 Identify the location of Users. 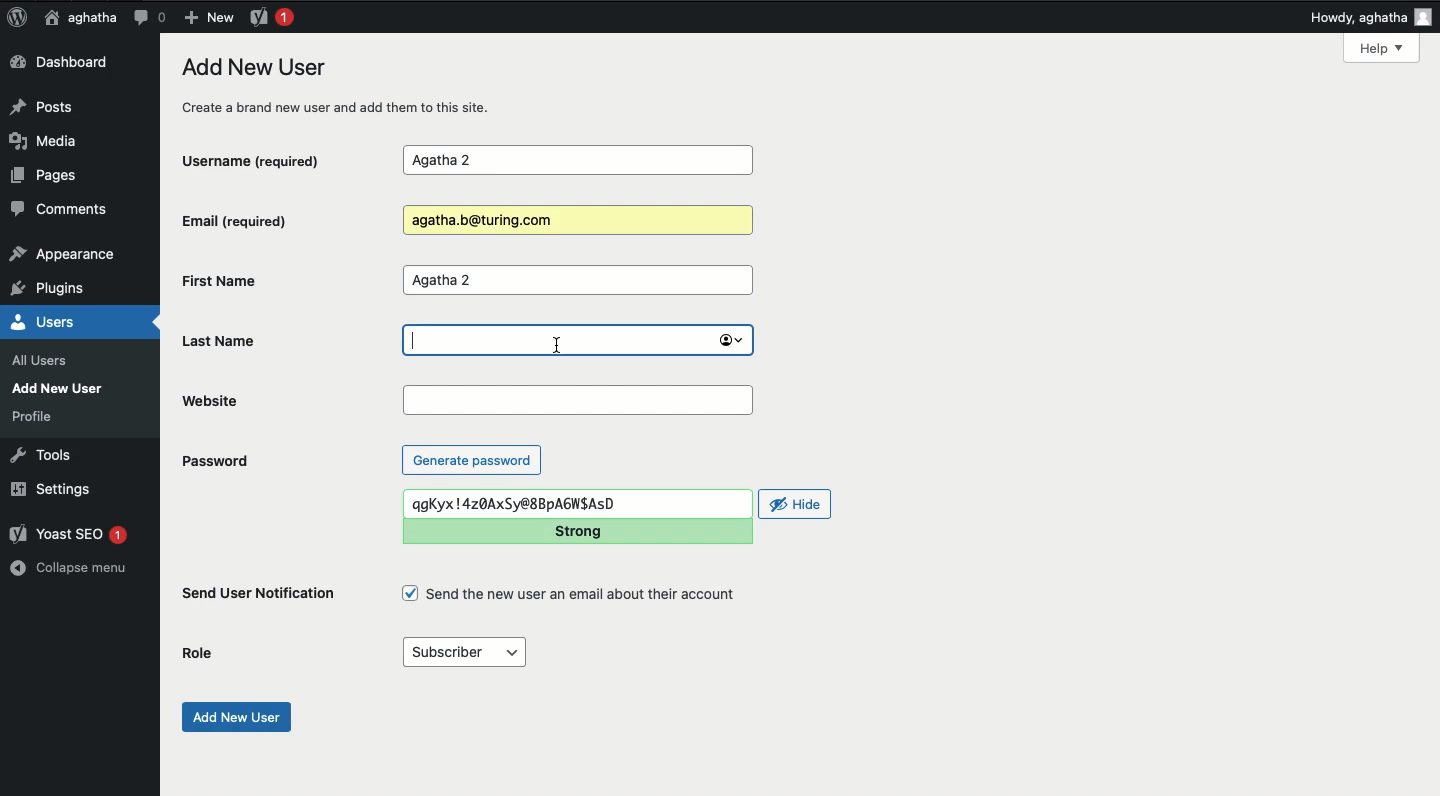
(64, 322).